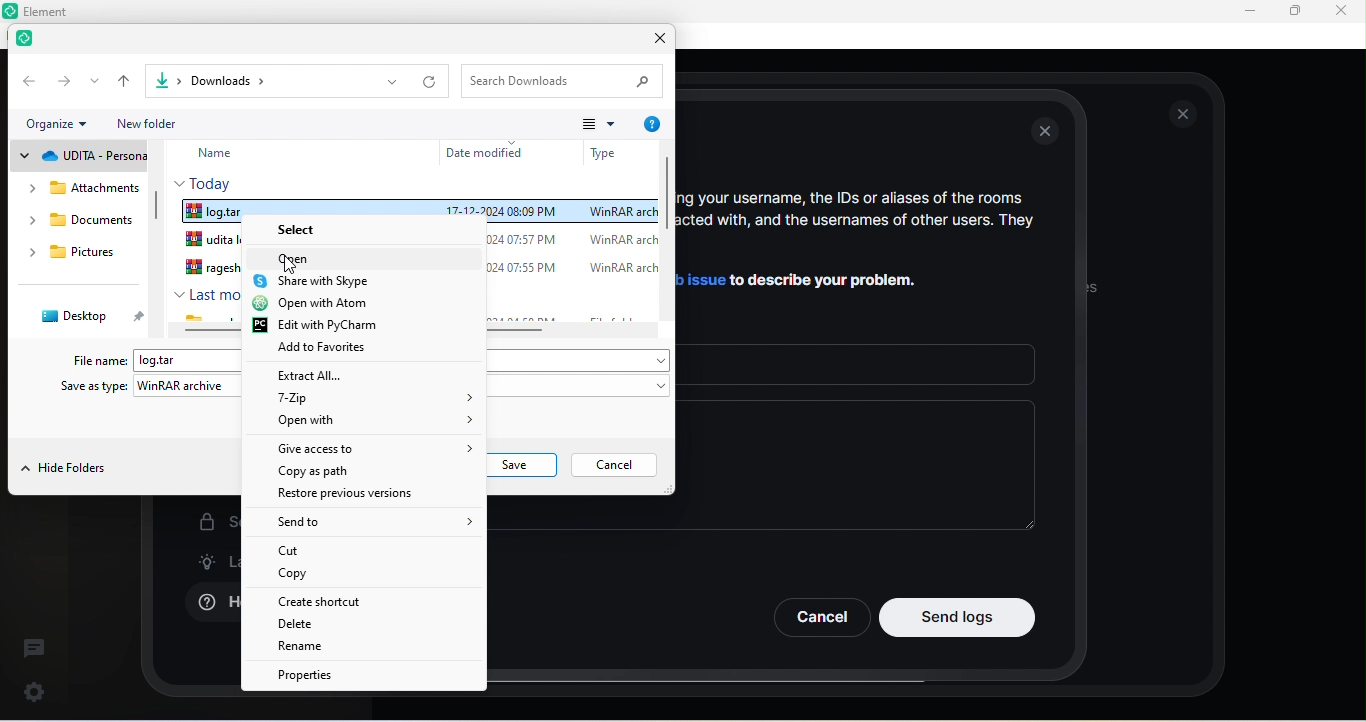 The image size is (1366, 722). Describe the element at coordinates (391, 82) in the screenshot. I see `drop down` at that location.